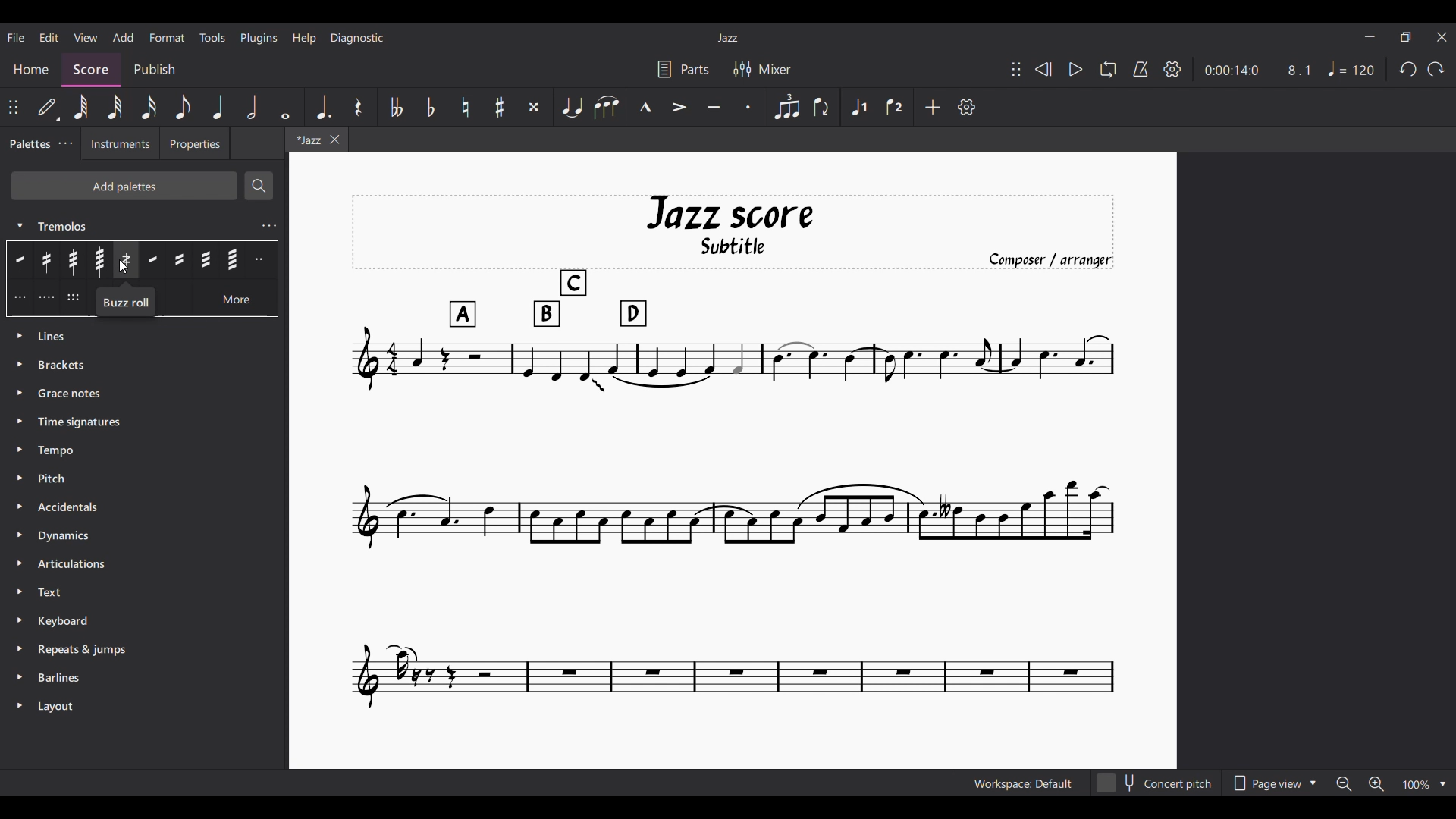 The image size is (1456, 819). What do you see at coordinates (148, 107) in the screenshot?
I see `16th note` at bounding box center [148, 107].